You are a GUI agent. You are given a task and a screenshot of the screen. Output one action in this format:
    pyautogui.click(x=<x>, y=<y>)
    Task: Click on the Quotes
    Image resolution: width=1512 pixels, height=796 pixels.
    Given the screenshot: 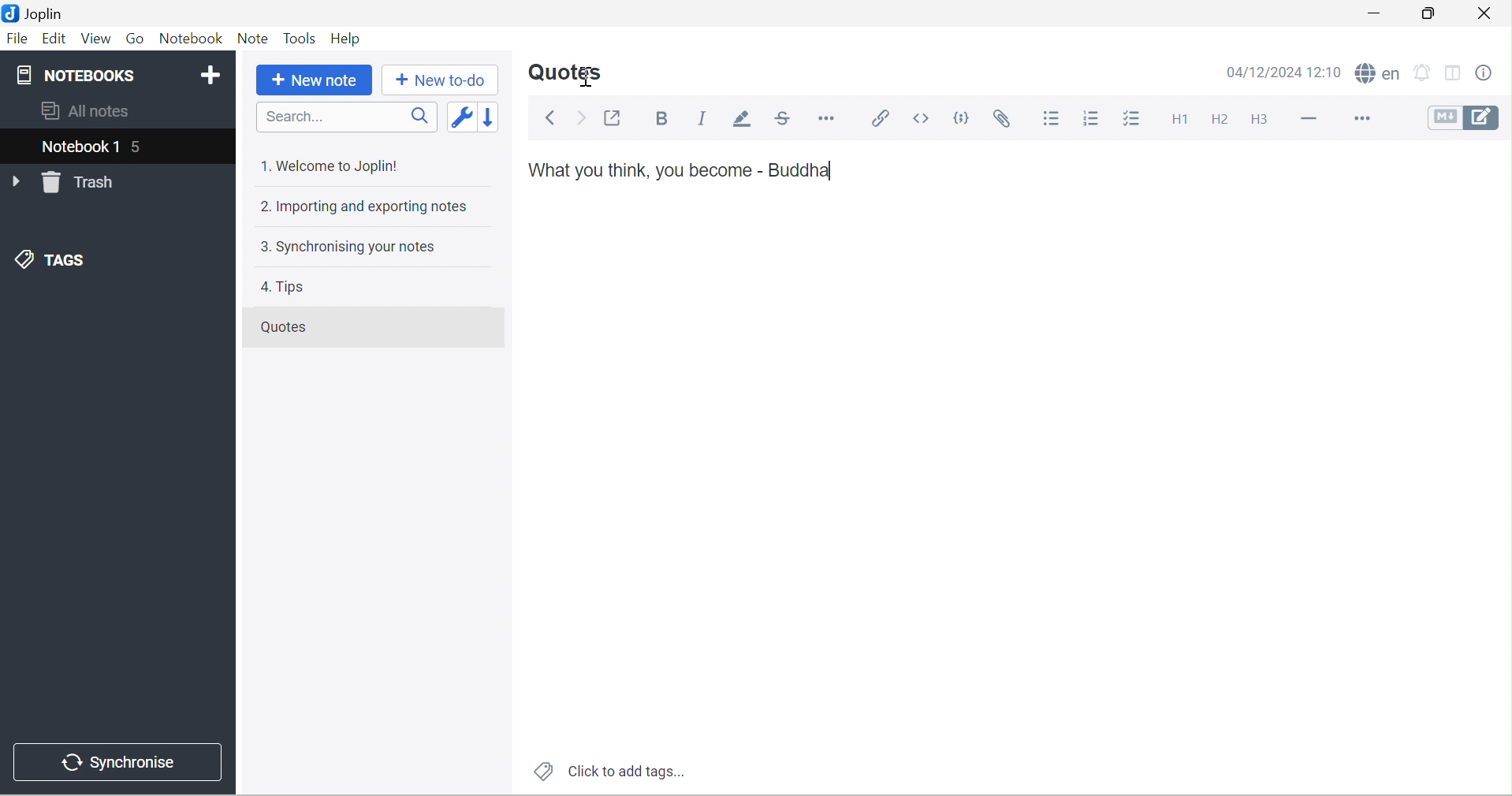 What is the action you would take?
    pyautogui.click(x=568, y=73)
    